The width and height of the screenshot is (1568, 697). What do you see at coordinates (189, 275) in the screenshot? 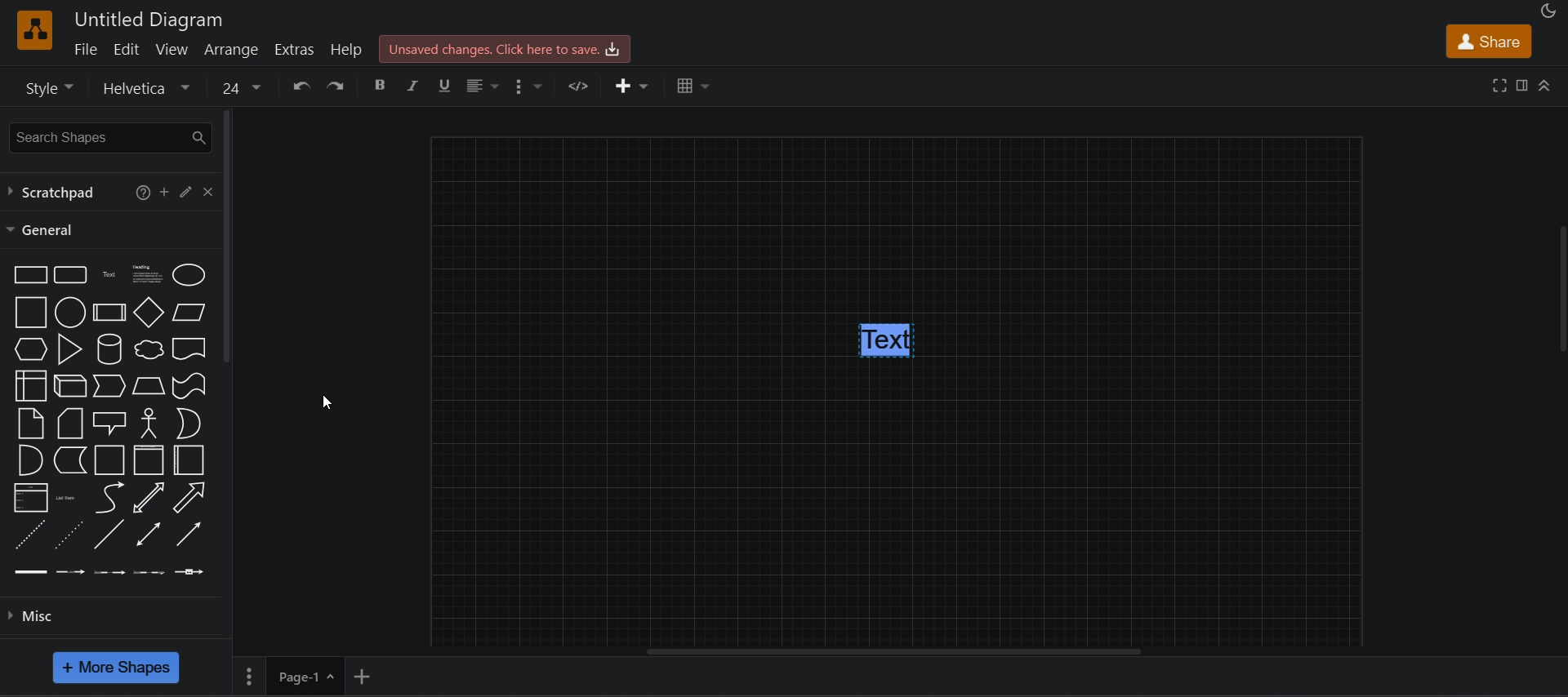
I see `Ellipse` at bounding box center [189, 275].